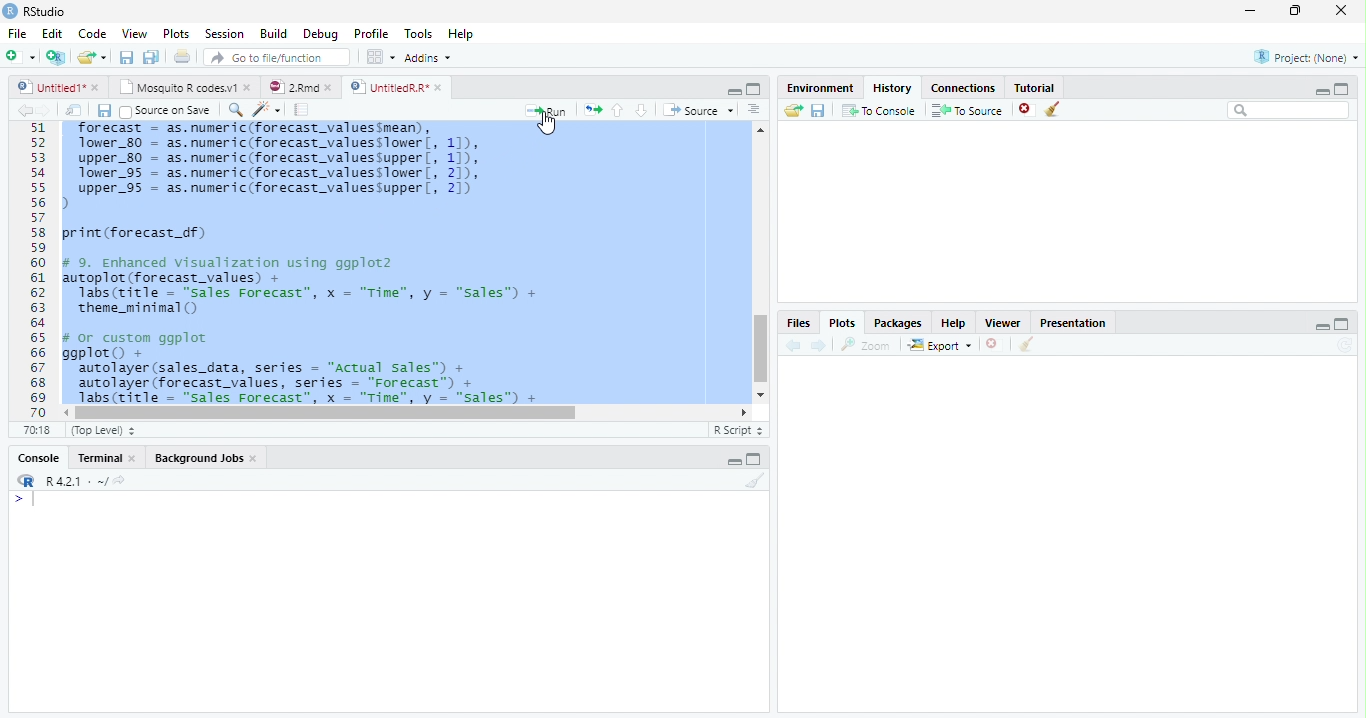  I want to click on Search, so click(1289, 111).